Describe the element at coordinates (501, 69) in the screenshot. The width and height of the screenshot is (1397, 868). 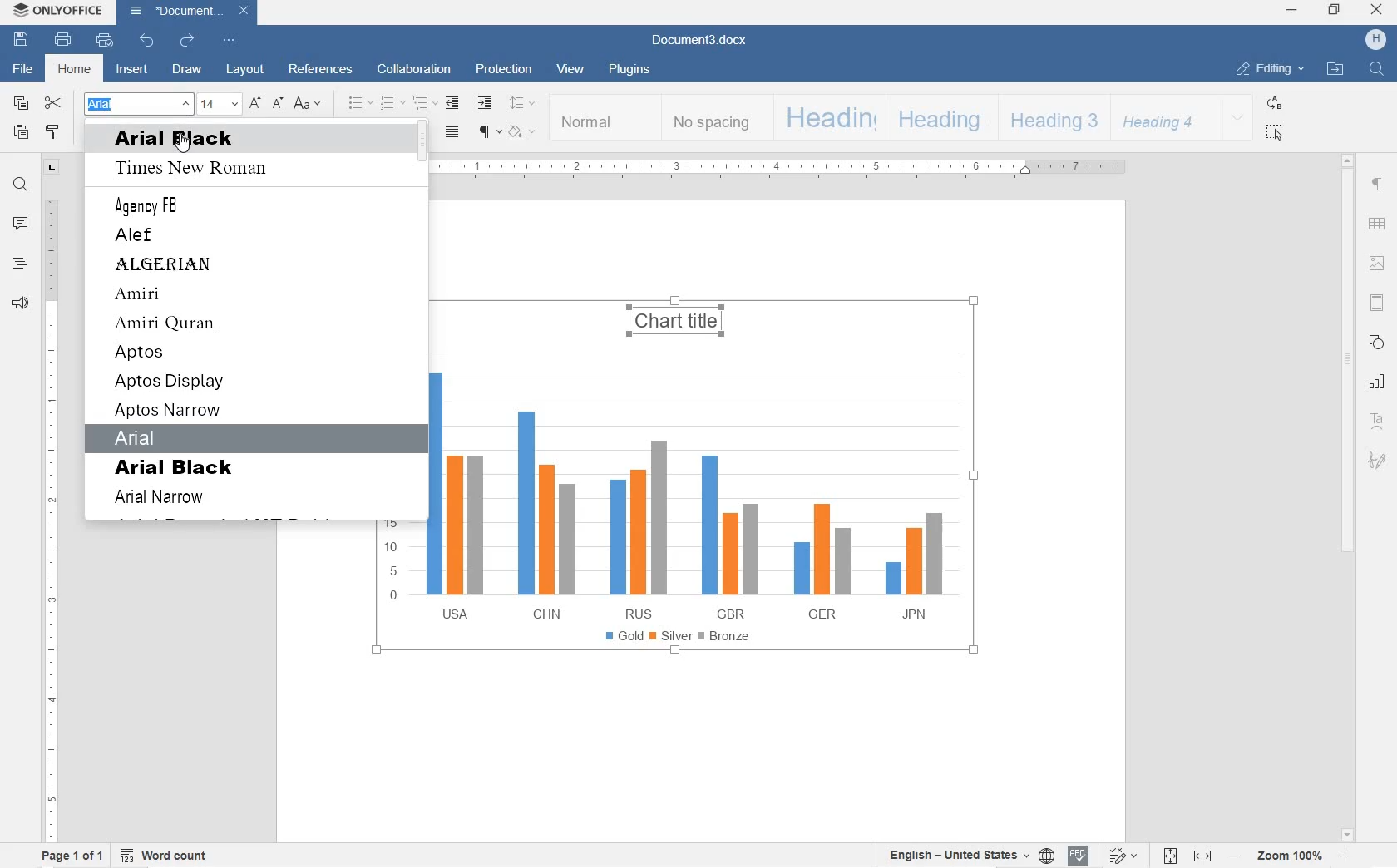
I see `PROTECTION` at that location.